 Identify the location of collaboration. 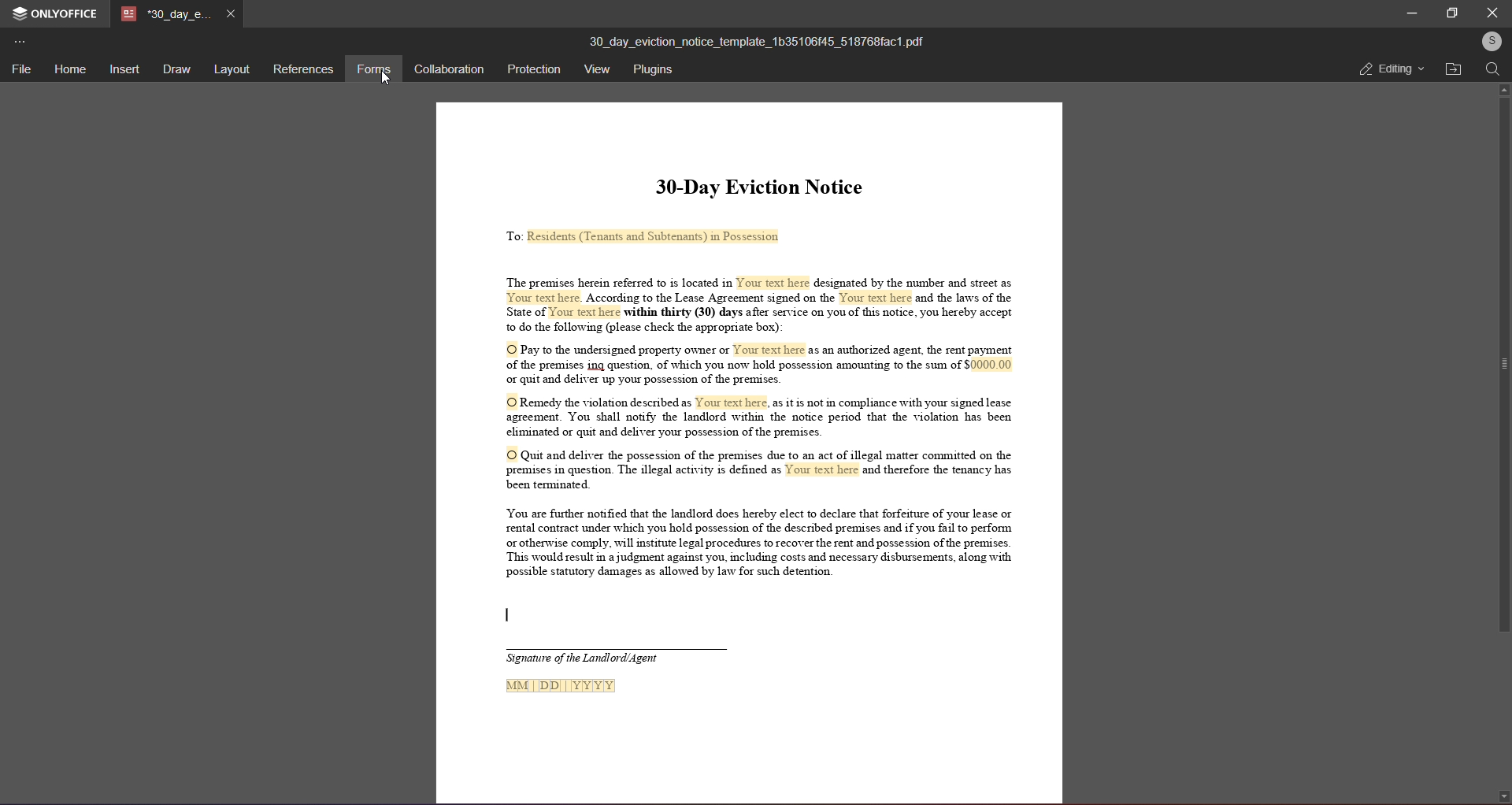
(451, 67).